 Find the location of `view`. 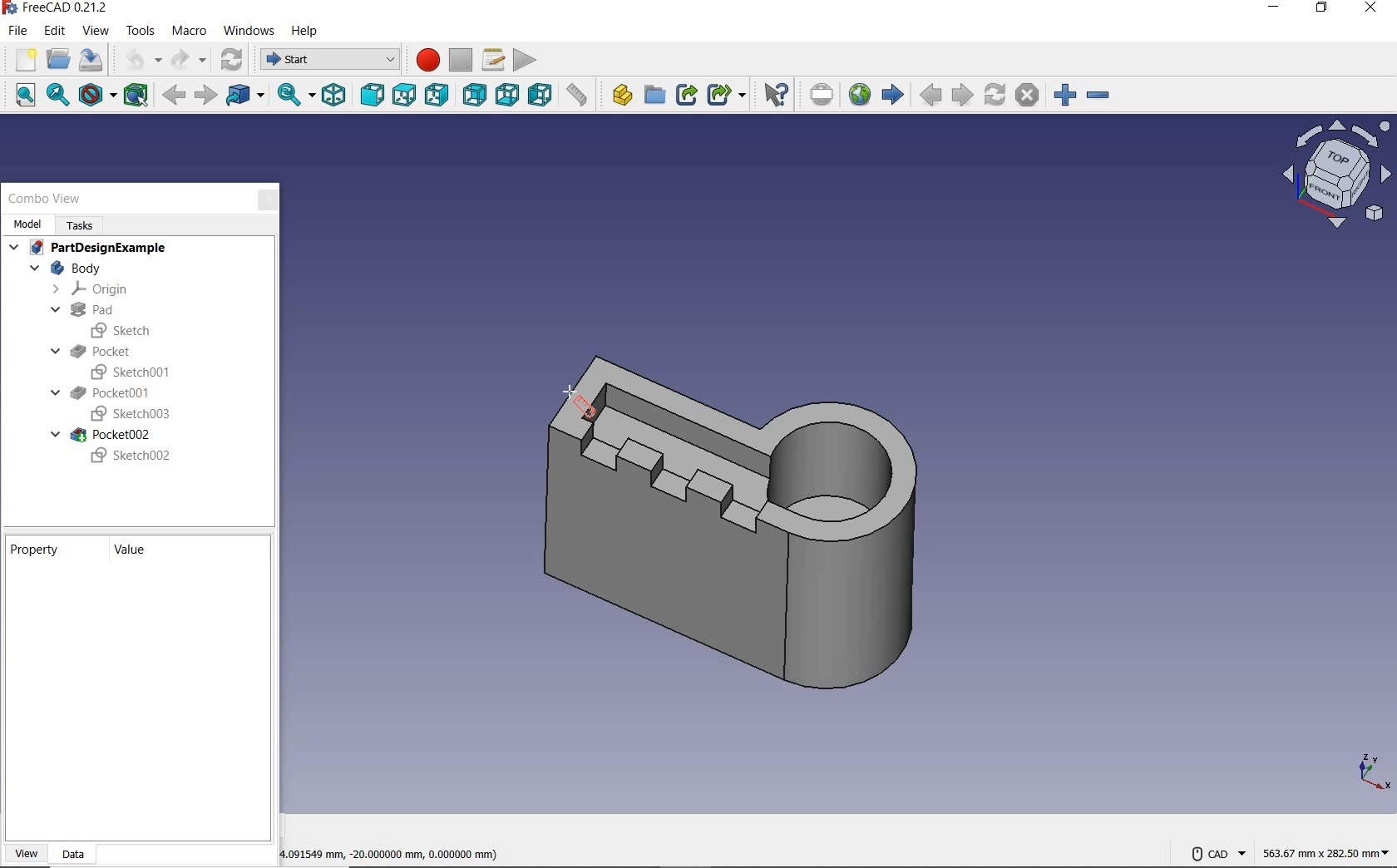

view is located at coordinates (94, 33).